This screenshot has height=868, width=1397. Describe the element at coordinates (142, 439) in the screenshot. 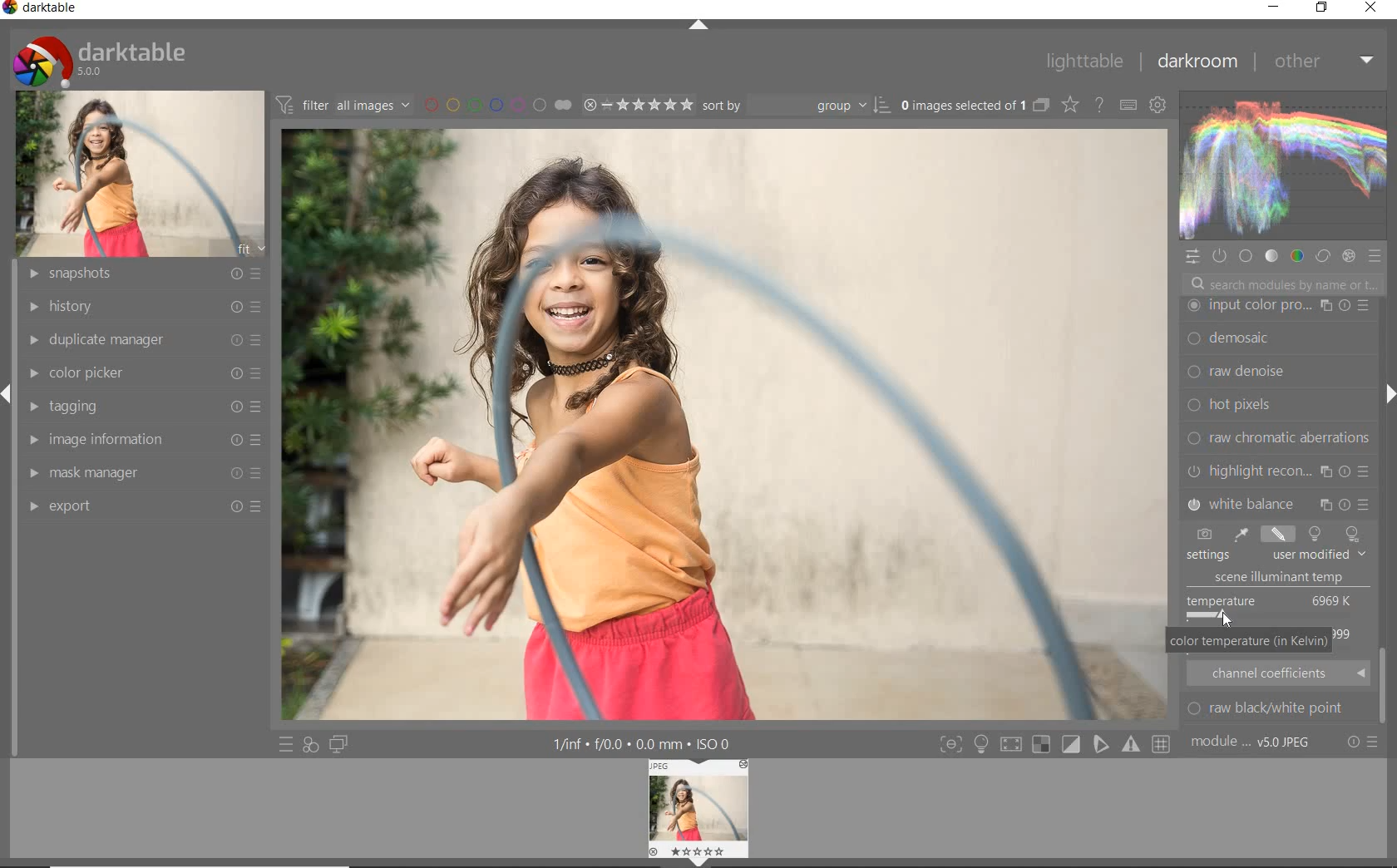

I see `image information` at that location.